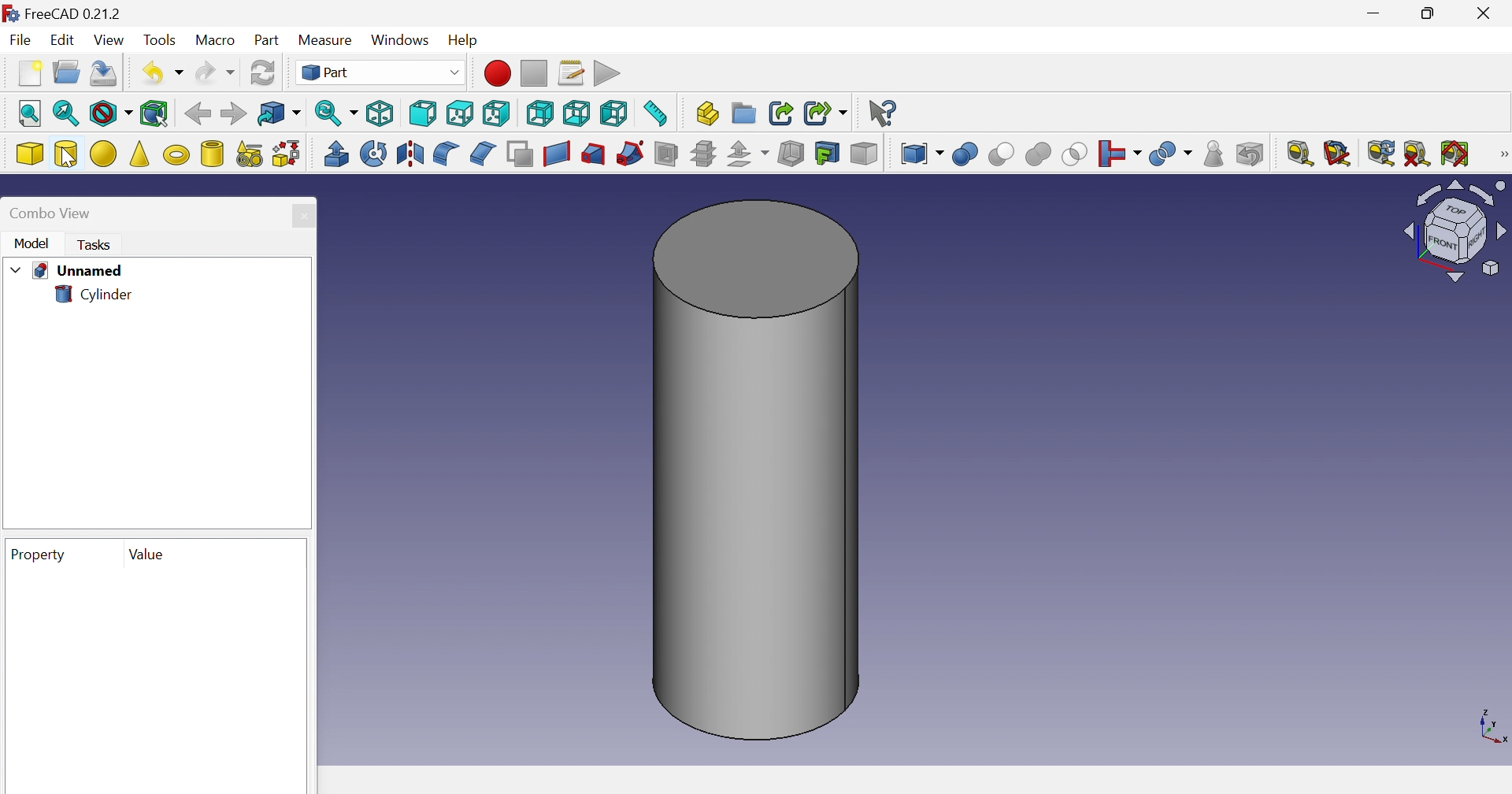 This screenshot has height=794, width=1512. Describe the element at coordinates (757, 469) in the screenshot. I see `Cylinder shape` at that location.